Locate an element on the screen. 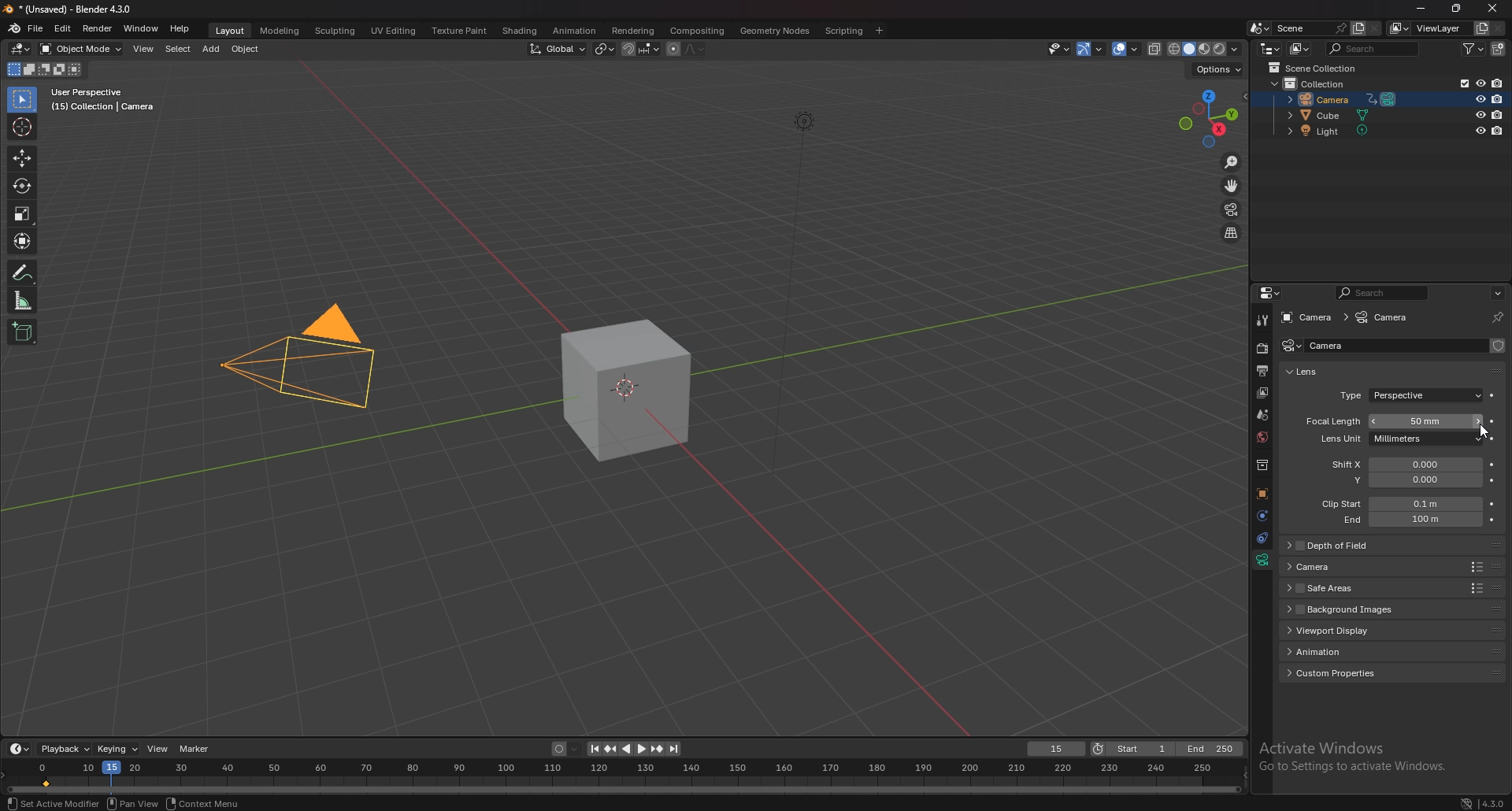 This screenshot has height=811, width=1512. set active modifier is located at coordinates (54, 803).